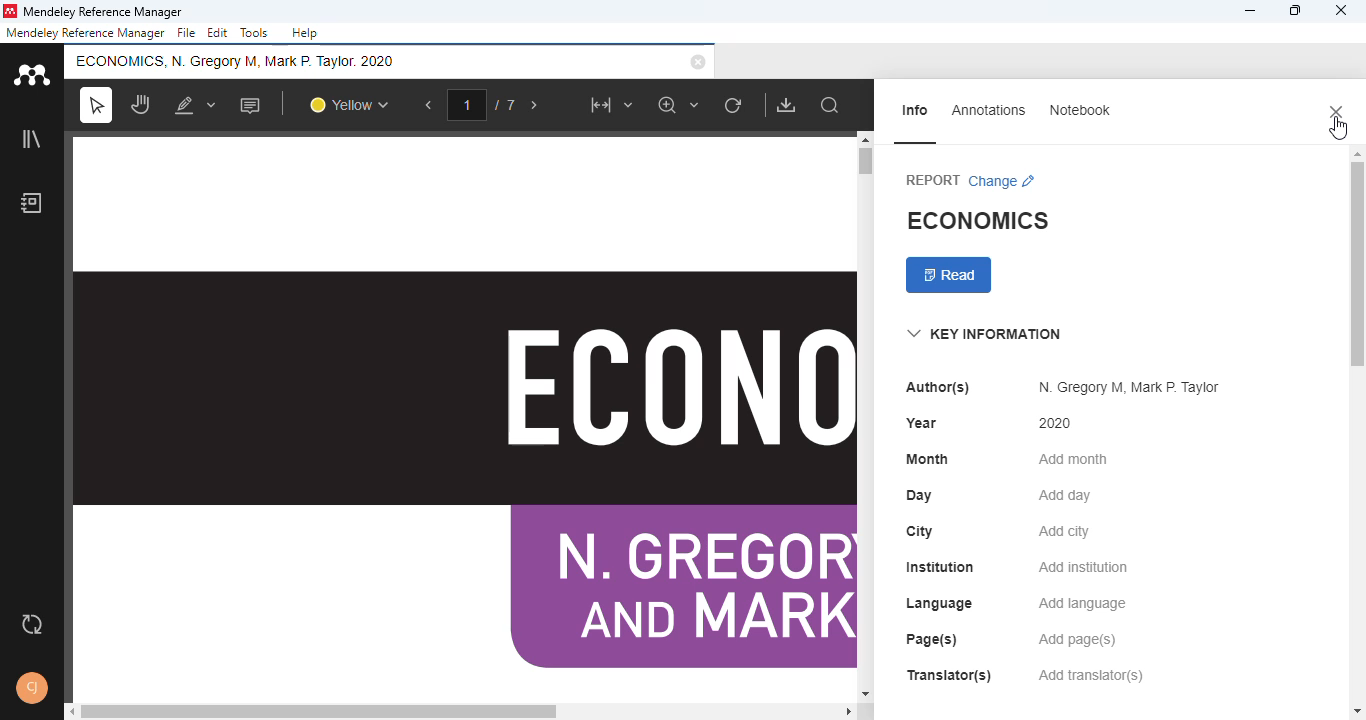  Describe the element at coordinates (1082, 567) in the screenshot. I see `add institution` at that location.